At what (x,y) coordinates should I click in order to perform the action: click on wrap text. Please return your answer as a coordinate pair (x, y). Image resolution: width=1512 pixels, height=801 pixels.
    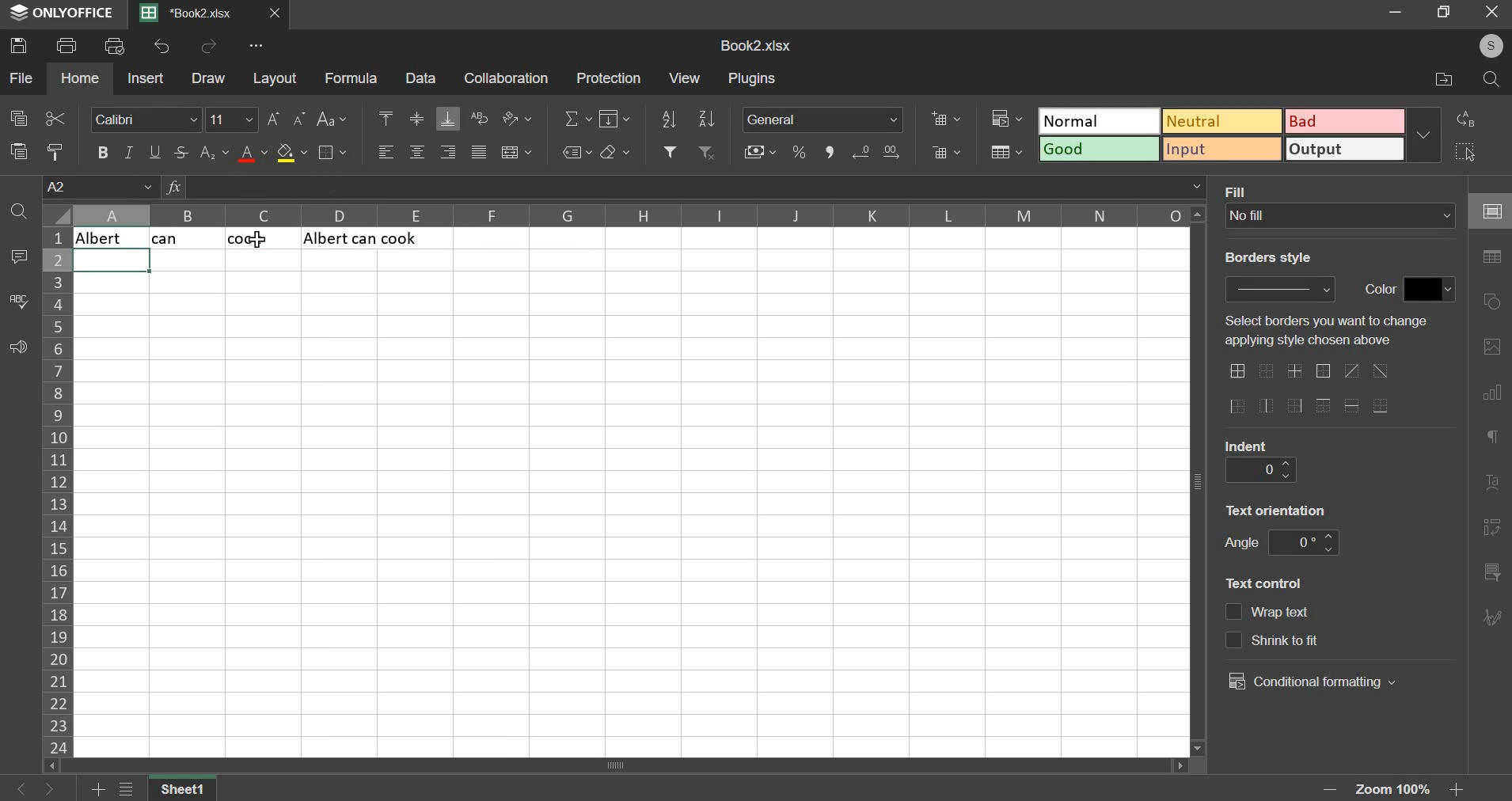
    Looking at the image, I should click on (481, 116).